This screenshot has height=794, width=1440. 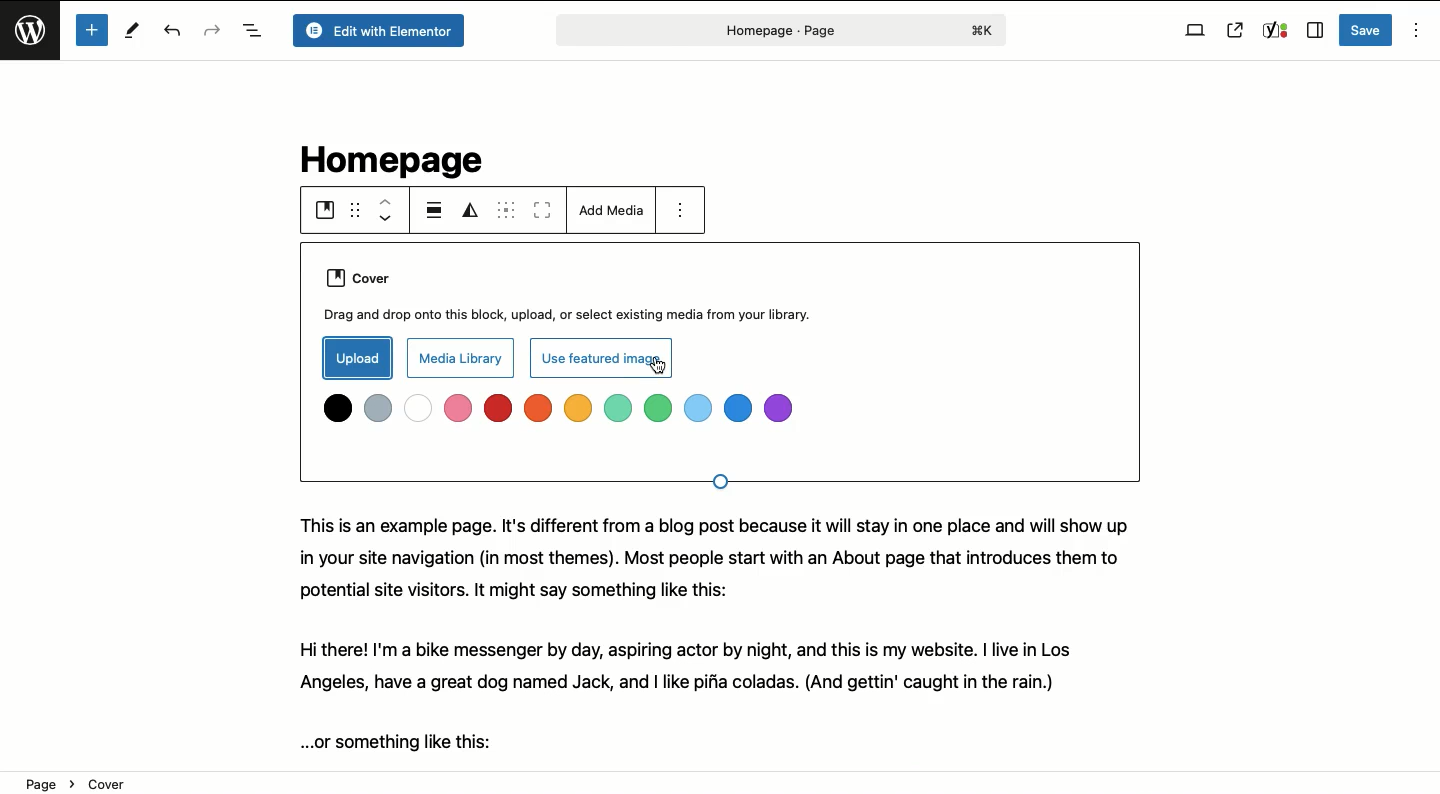 What do you see at coordinates (1367, 30) in the screenshot?
I see `Save` at bounding box center [1367, 30].